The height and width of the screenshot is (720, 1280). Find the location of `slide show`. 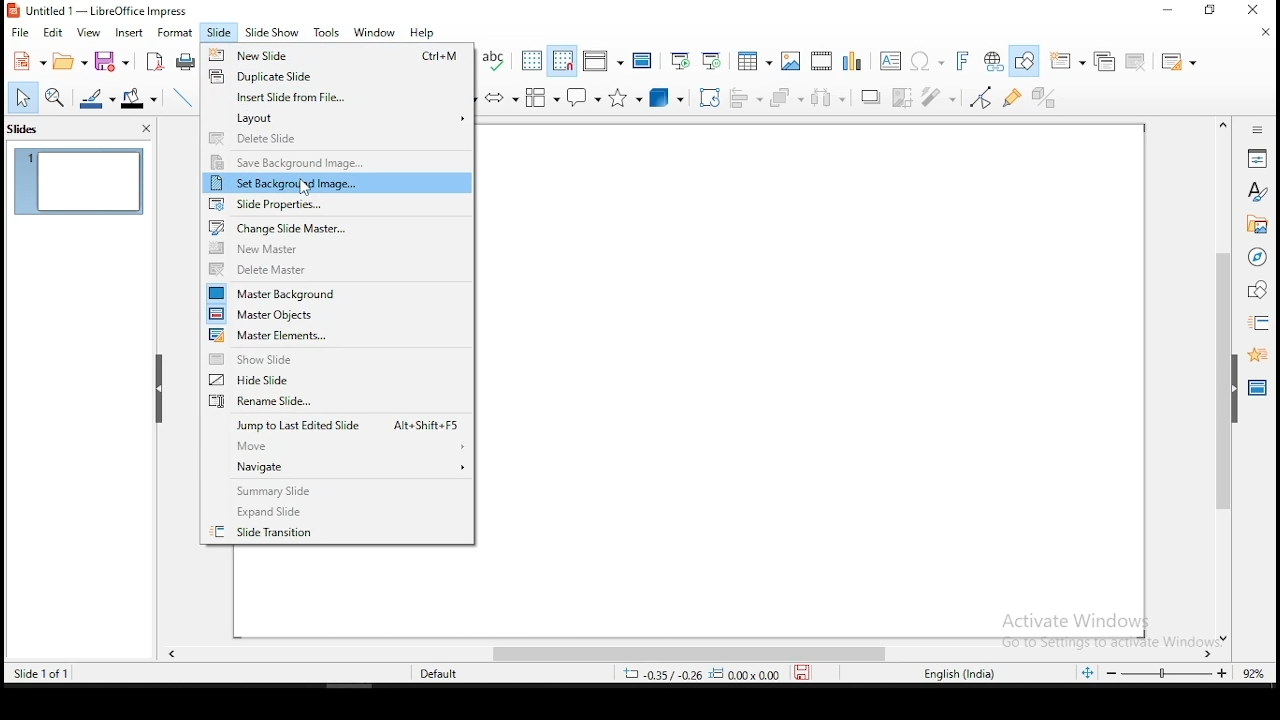

slide show is located at coordinates (275, 32).